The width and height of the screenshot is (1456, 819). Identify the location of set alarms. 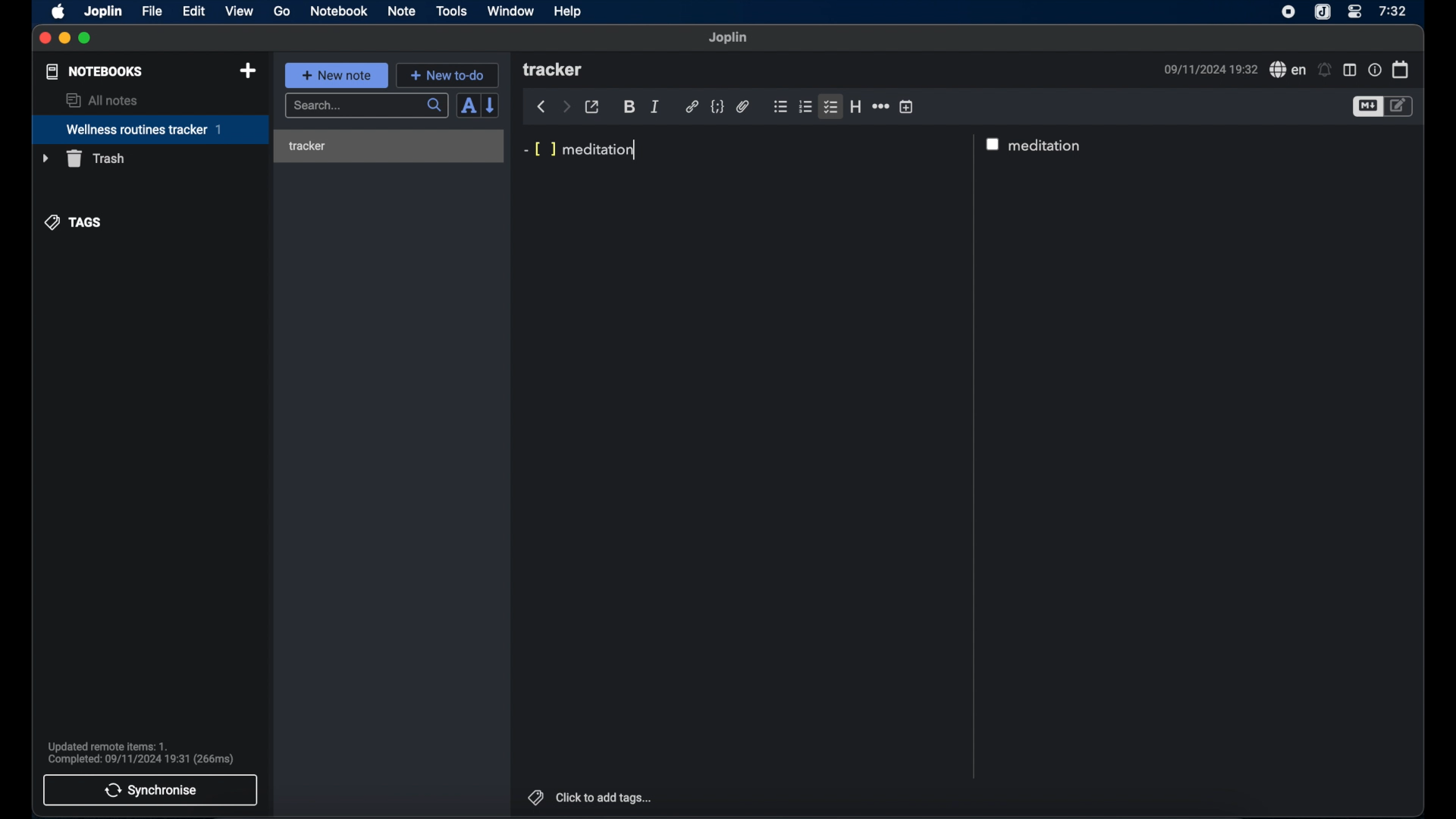
(1325, 70).